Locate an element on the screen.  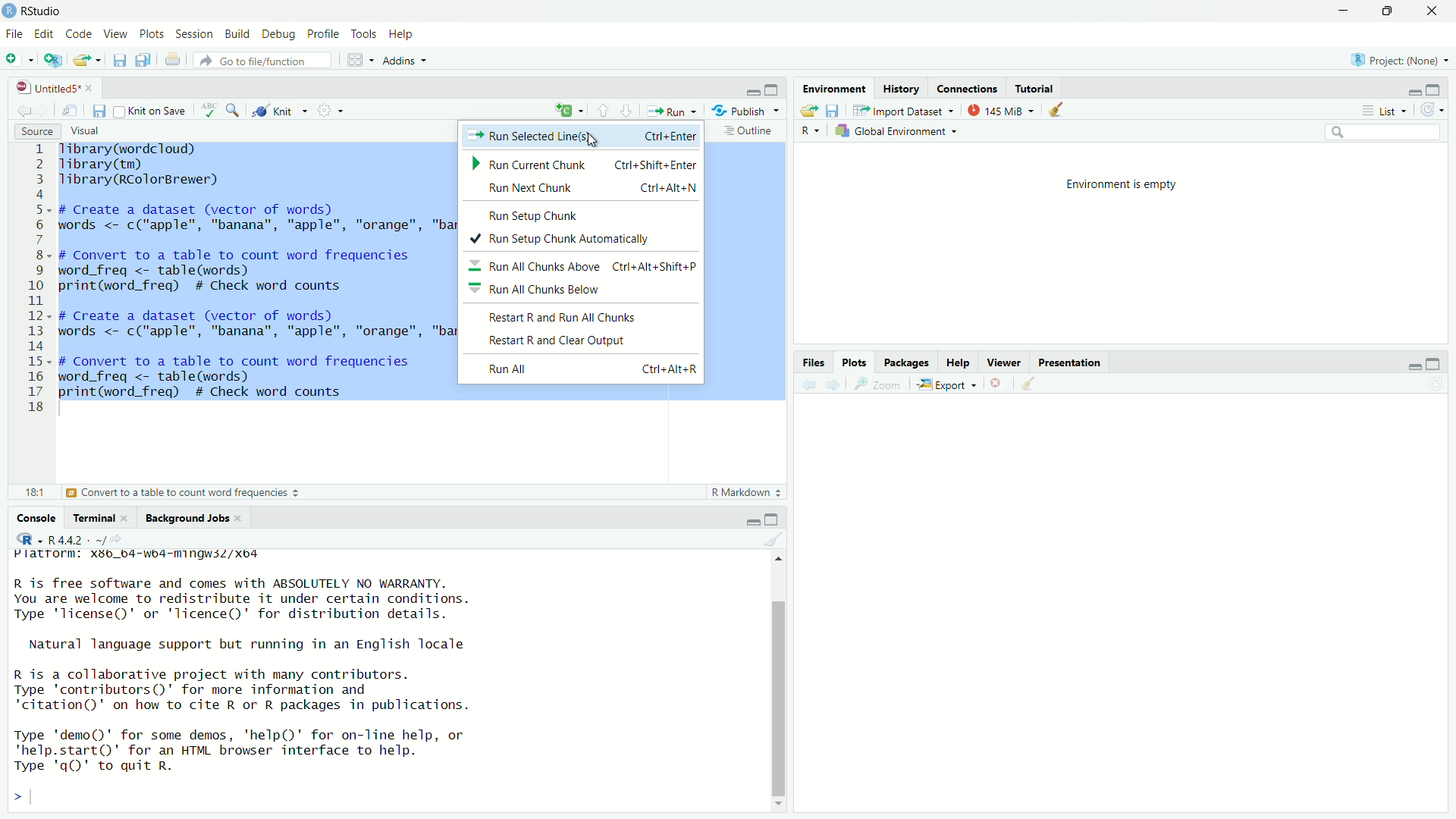
Project (name) is located at coordinates (1403, 61).